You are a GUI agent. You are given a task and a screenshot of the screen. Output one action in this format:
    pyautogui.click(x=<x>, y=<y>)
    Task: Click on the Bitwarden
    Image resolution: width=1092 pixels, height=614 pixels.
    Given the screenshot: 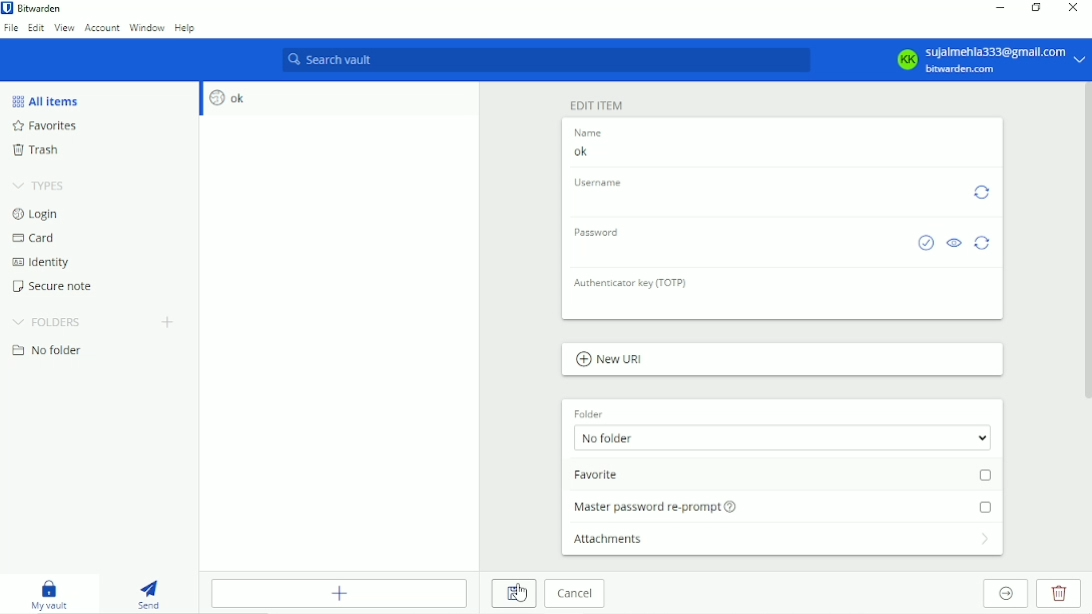 What is the action you would take?
    pyautogui.click(x=40, y=8)
    